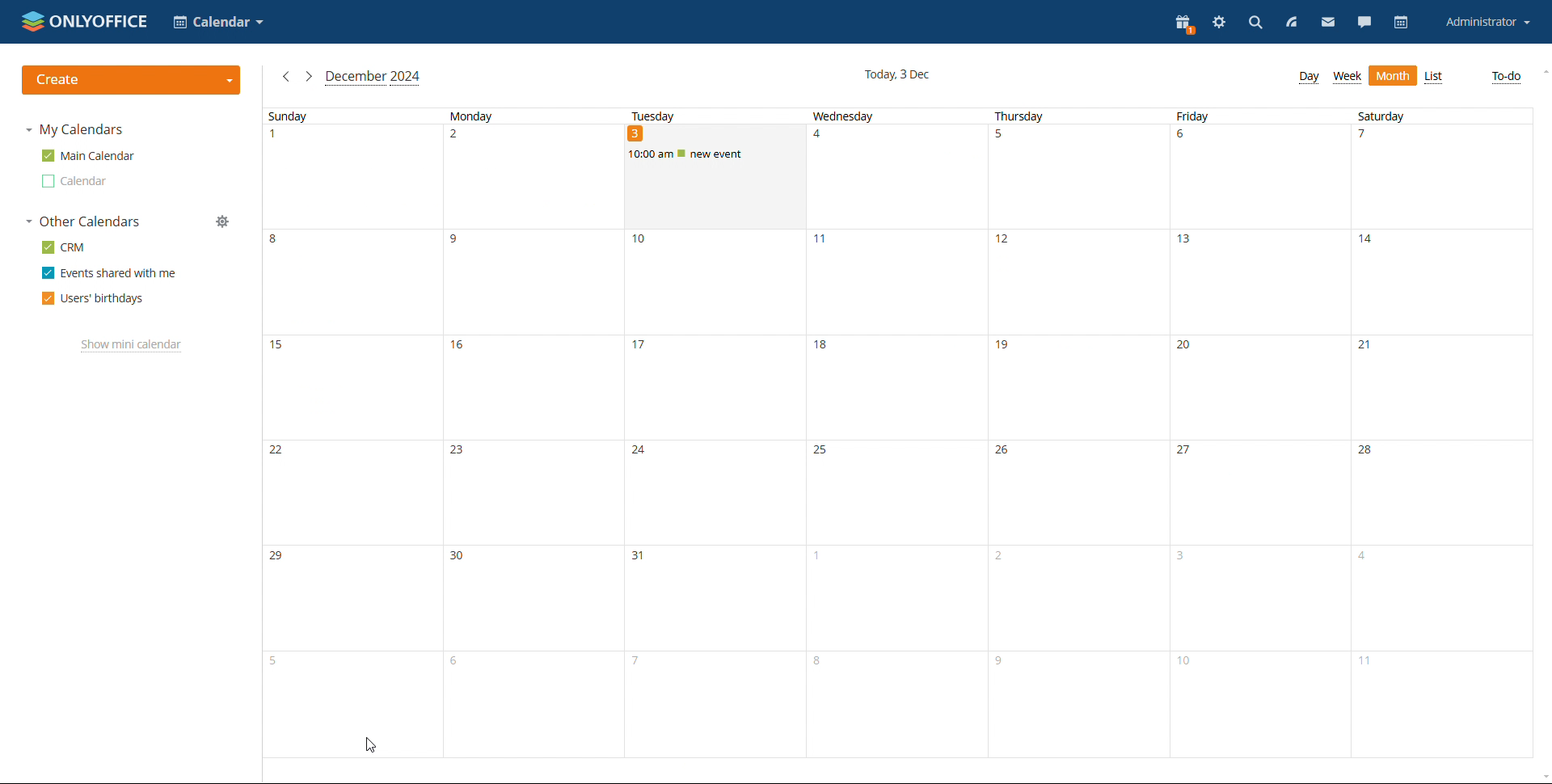 The height and width of the screenshot is (784, 1552). I want to click on 25, so click(895, 493).